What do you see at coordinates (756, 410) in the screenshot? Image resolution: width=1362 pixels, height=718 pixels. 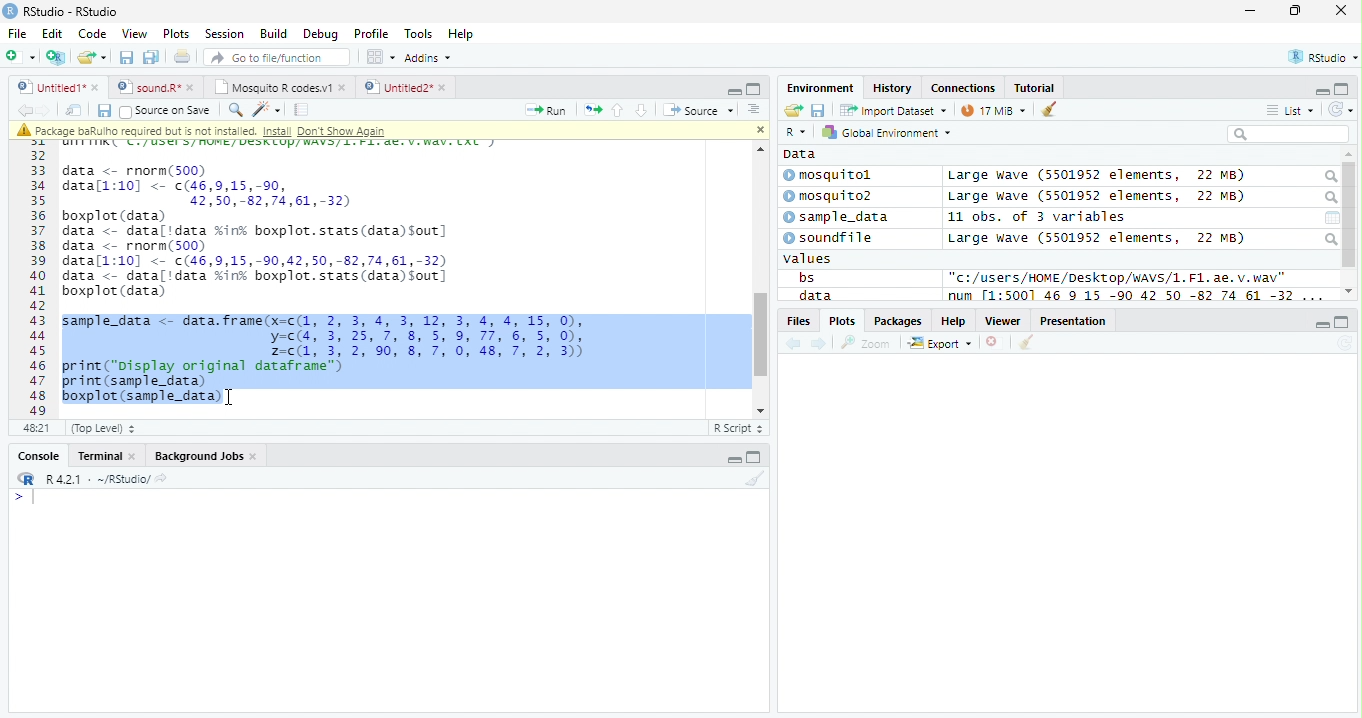 I see `scroll down` at bounding box center [756, 410].